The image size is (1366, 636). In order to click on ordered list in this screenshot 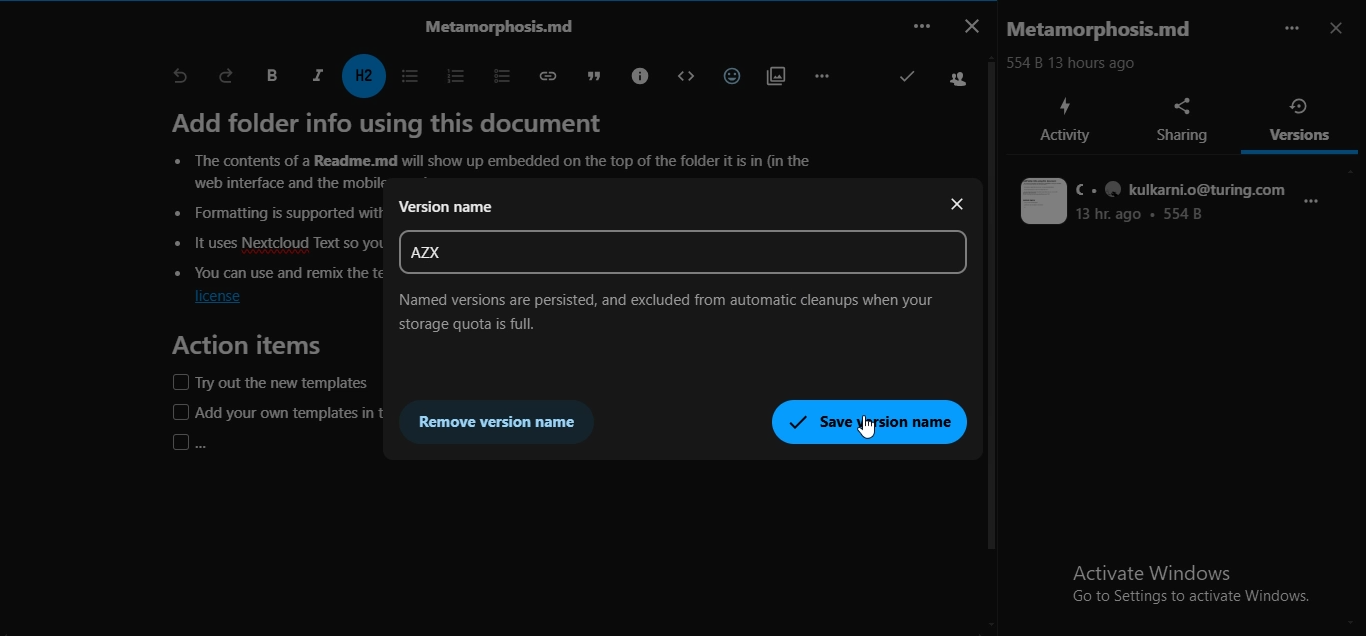, I will do `click(451, 74)`.